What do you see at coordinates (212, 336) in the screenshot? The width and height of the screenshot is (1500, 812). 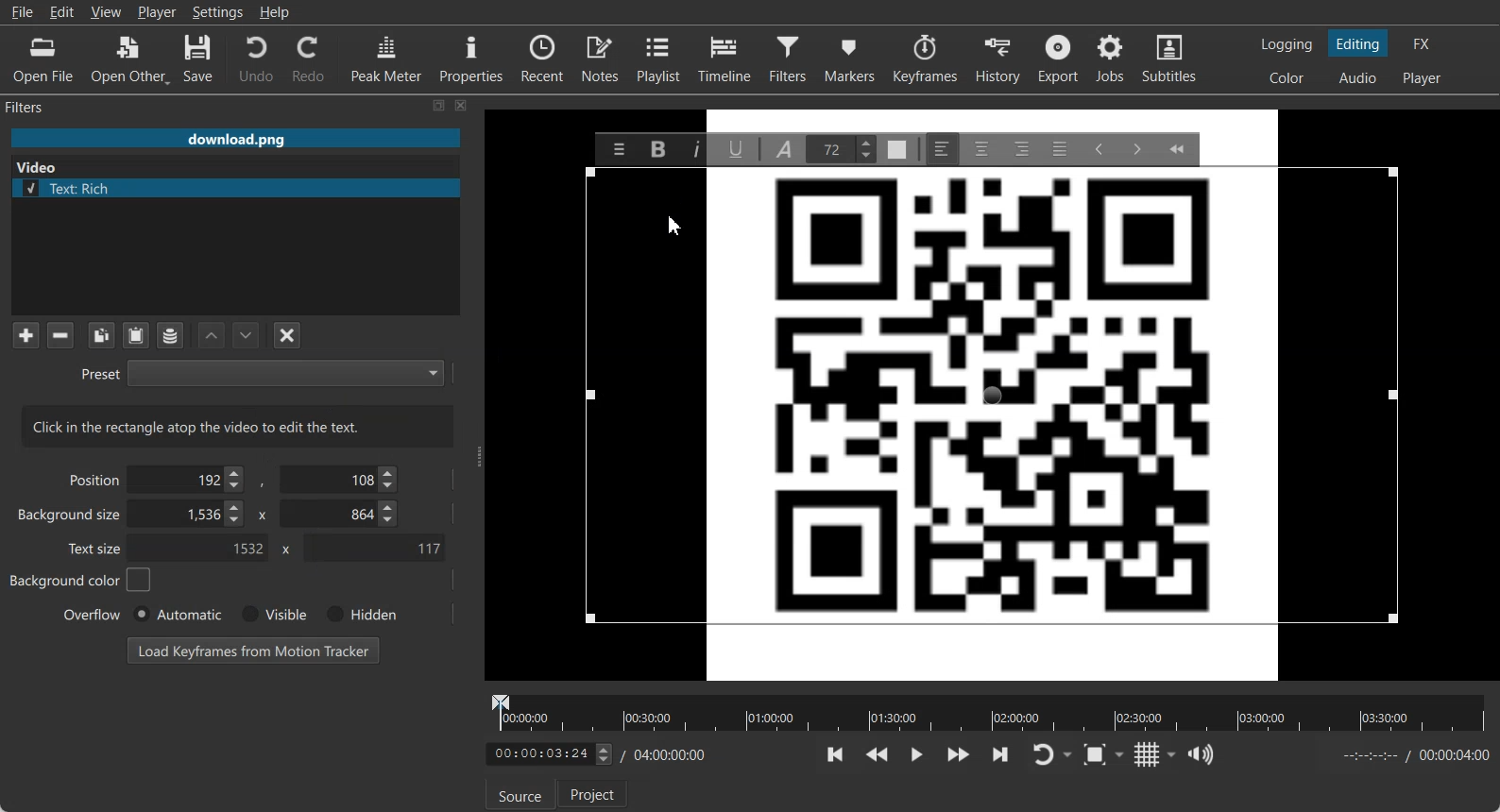 I see `Move Filter up` at bounding box center [212, 336].